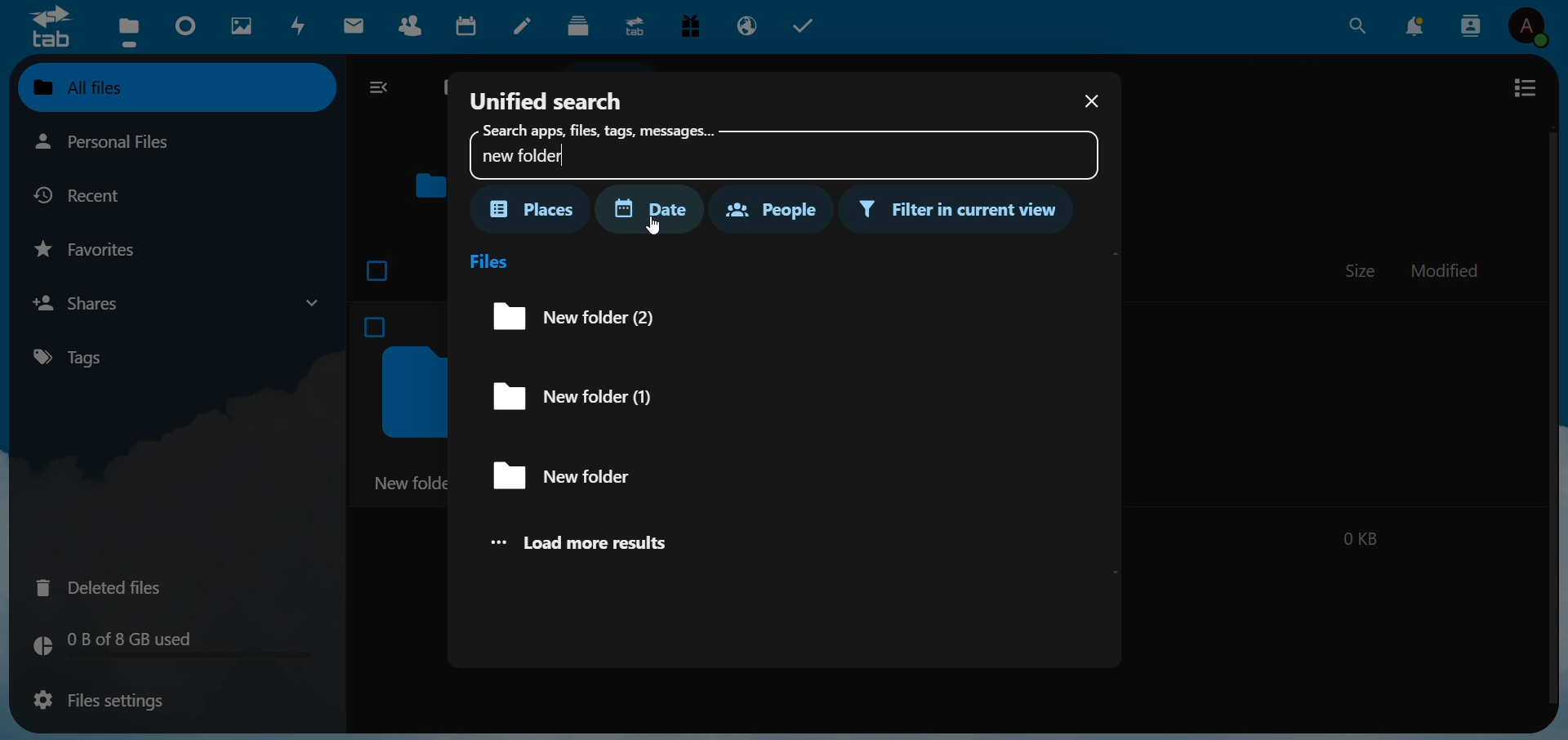 This screenshot has width=1568, height=740. What do you see at coordinates (371, 328) in the screenshot?
I see `checkbox` at bounding box center [371, 328].